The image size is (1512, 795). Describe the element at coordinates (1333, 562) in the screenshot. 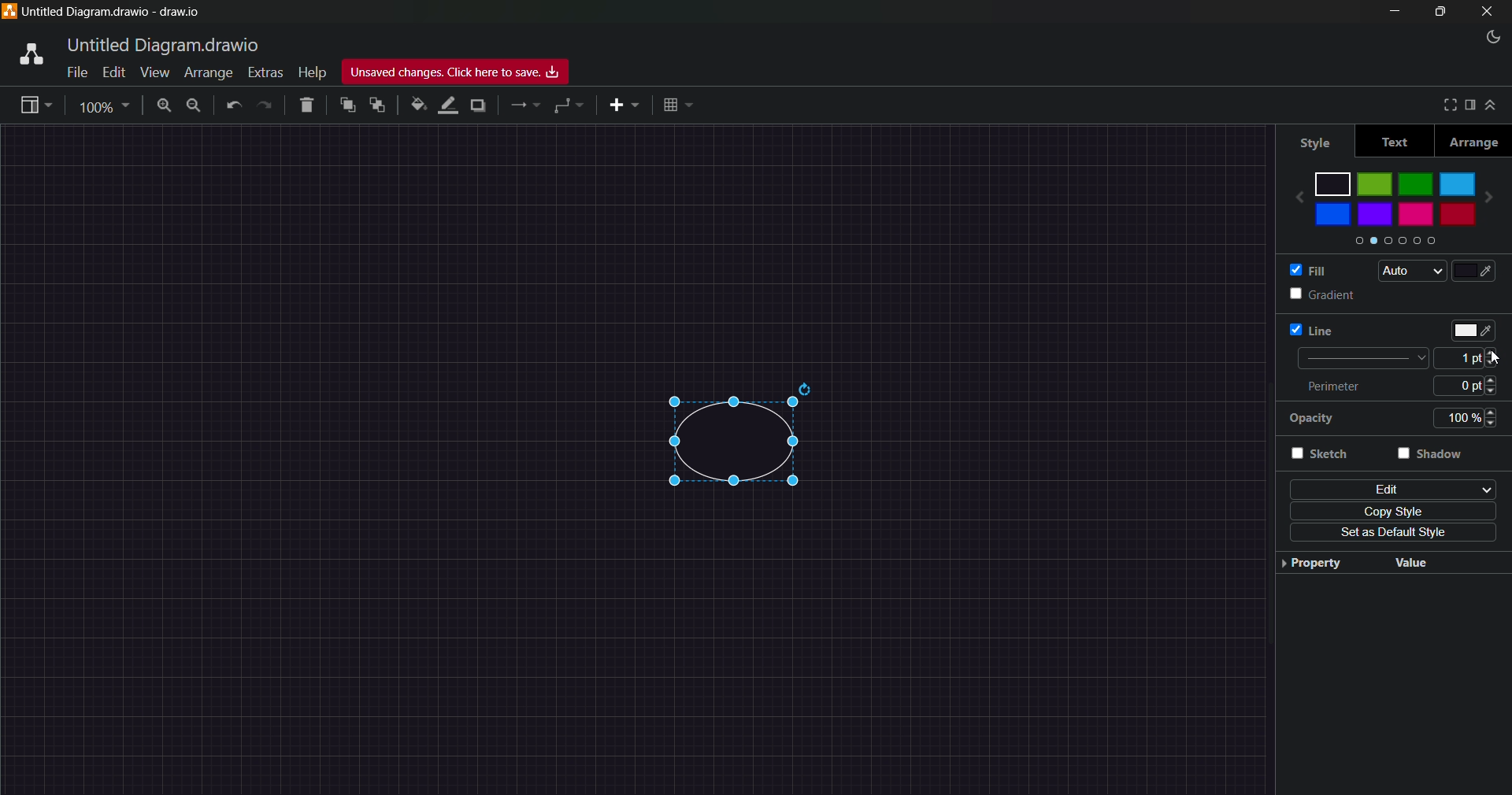

I see `property` at that location.